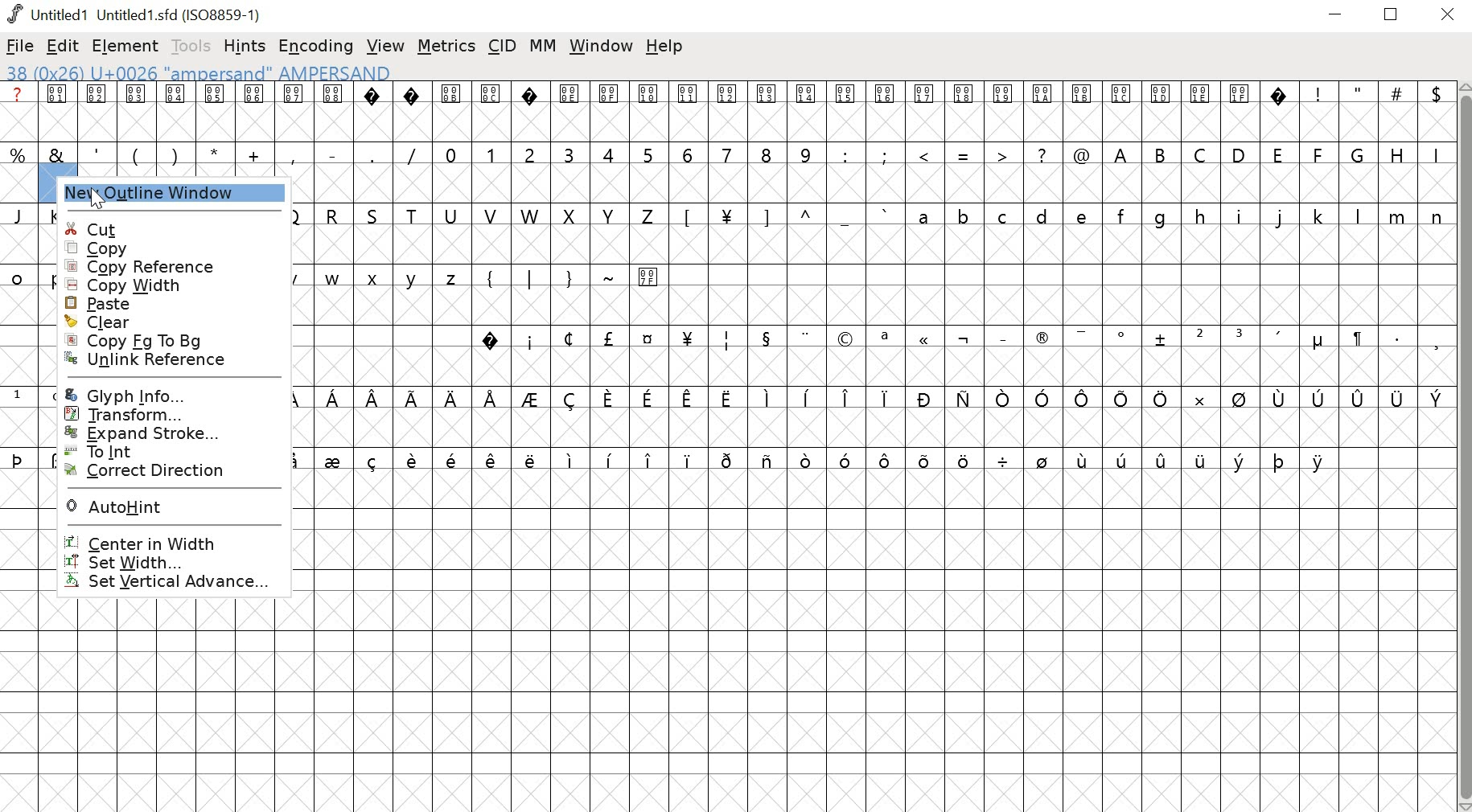 Image resolution: width=1472 pixels, height=812 pixels. What do you see at coordinates (1241, 336) in the screenshot?
I see `3` at bounding box center [1241, 336].